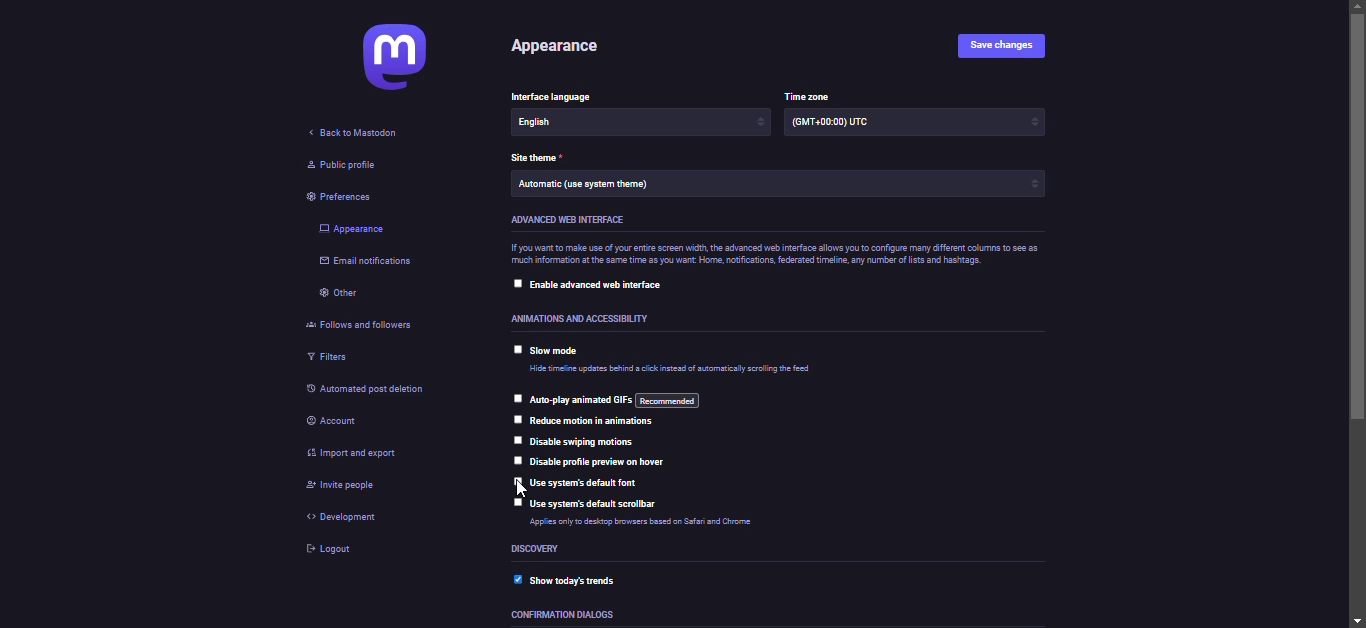 This screenshot has width=1366, height=628. What do you see at coordinates (607, 462) in the screenshot?
I see `disable profile preview on hover` at bounding box center [607, 462].